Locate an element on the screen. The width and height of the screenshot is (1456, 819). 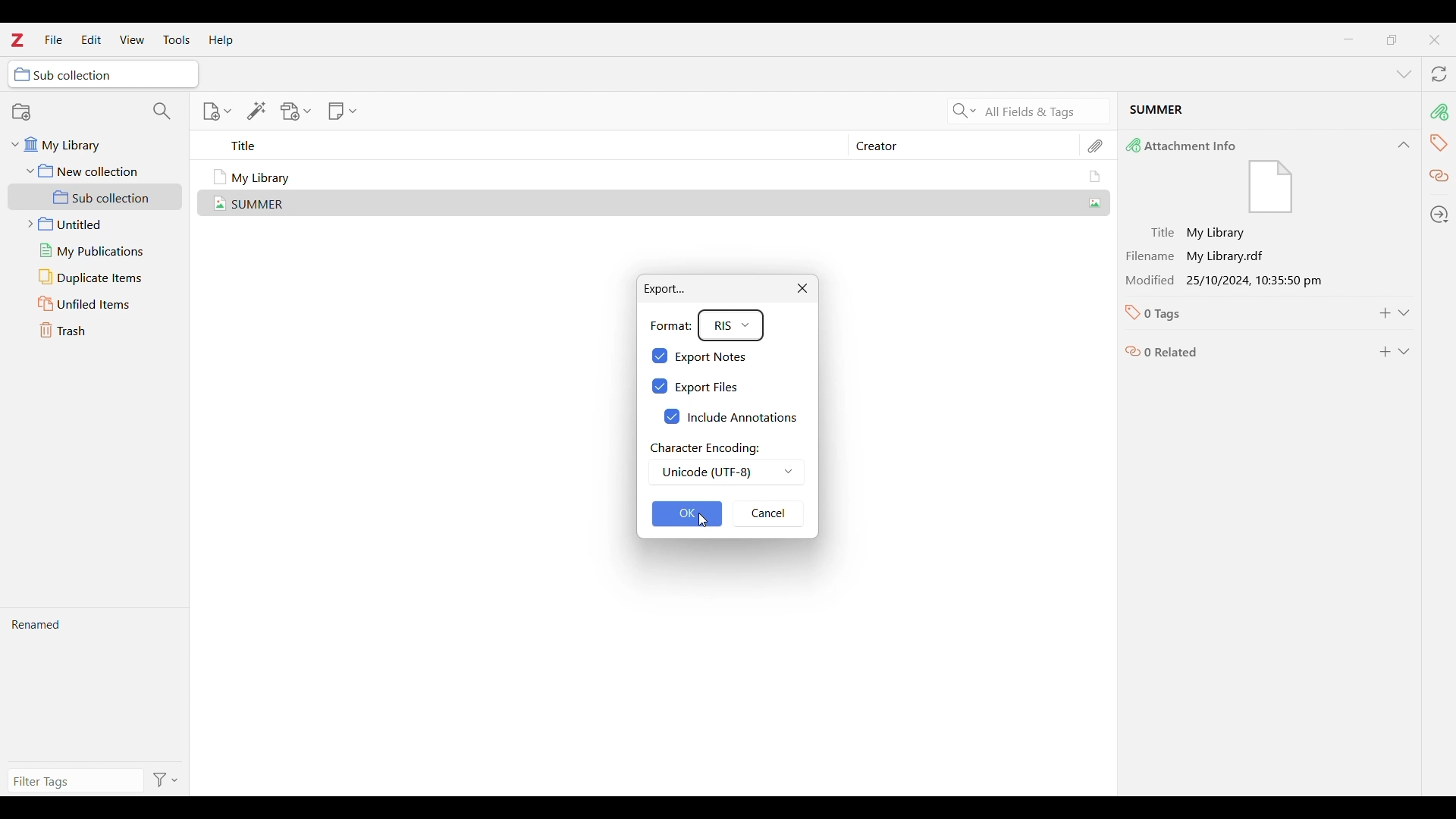
My publications  is located at coordinates (96, 251).